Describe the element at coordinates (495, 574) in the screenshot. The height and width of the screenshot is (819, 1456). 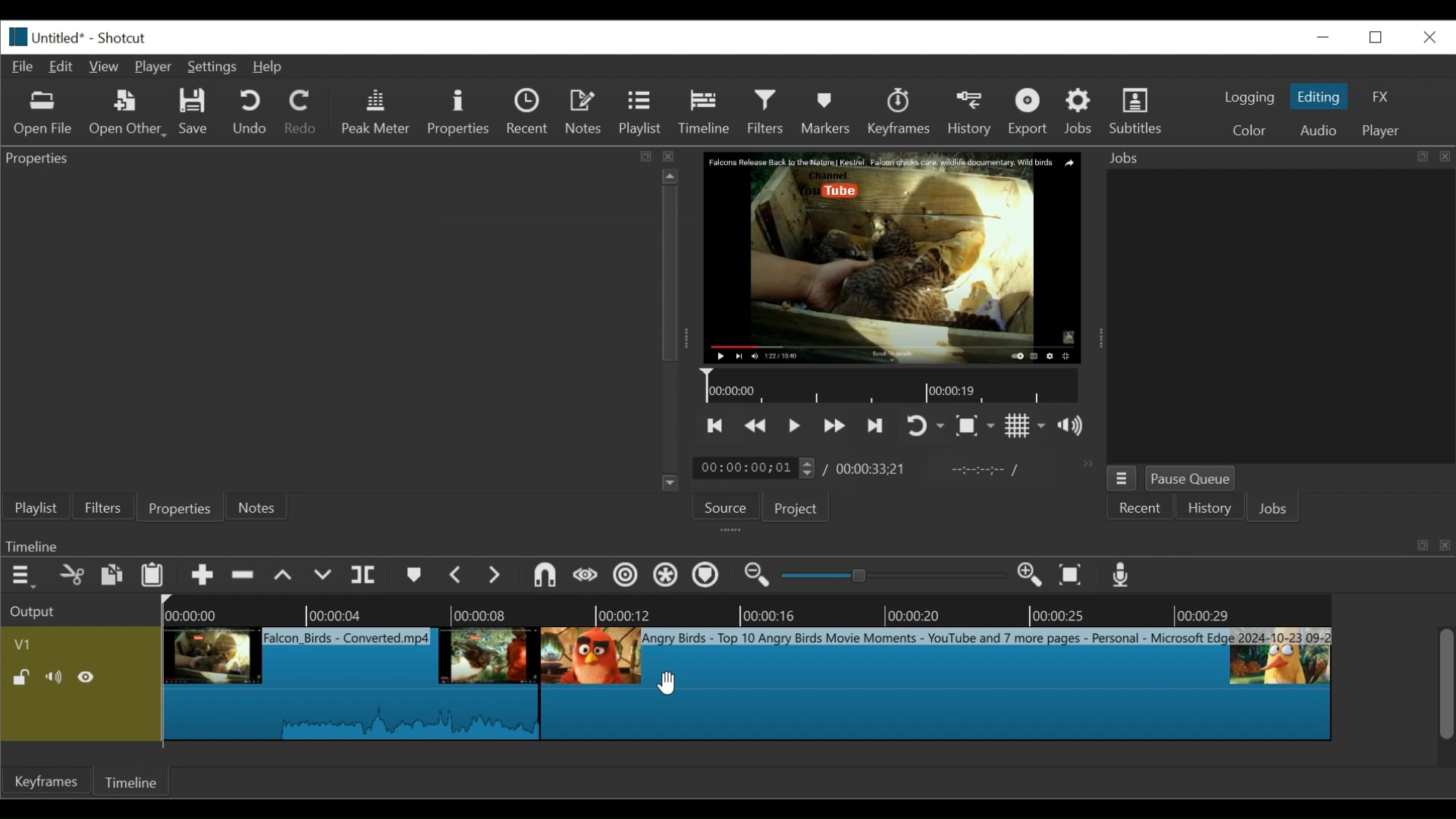
I see `Next Marker` at that location.